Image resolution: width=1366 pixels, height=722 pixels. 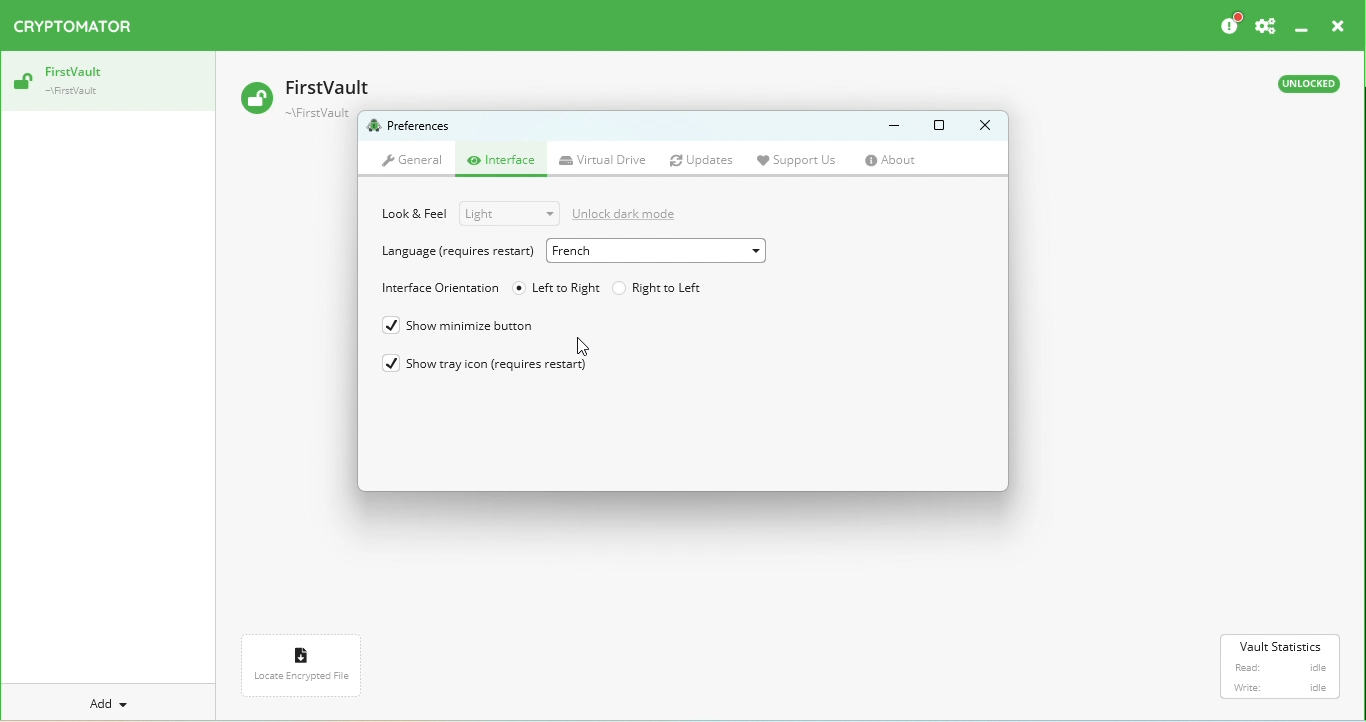 I want to click on Close, so click(x=1335, y=28).